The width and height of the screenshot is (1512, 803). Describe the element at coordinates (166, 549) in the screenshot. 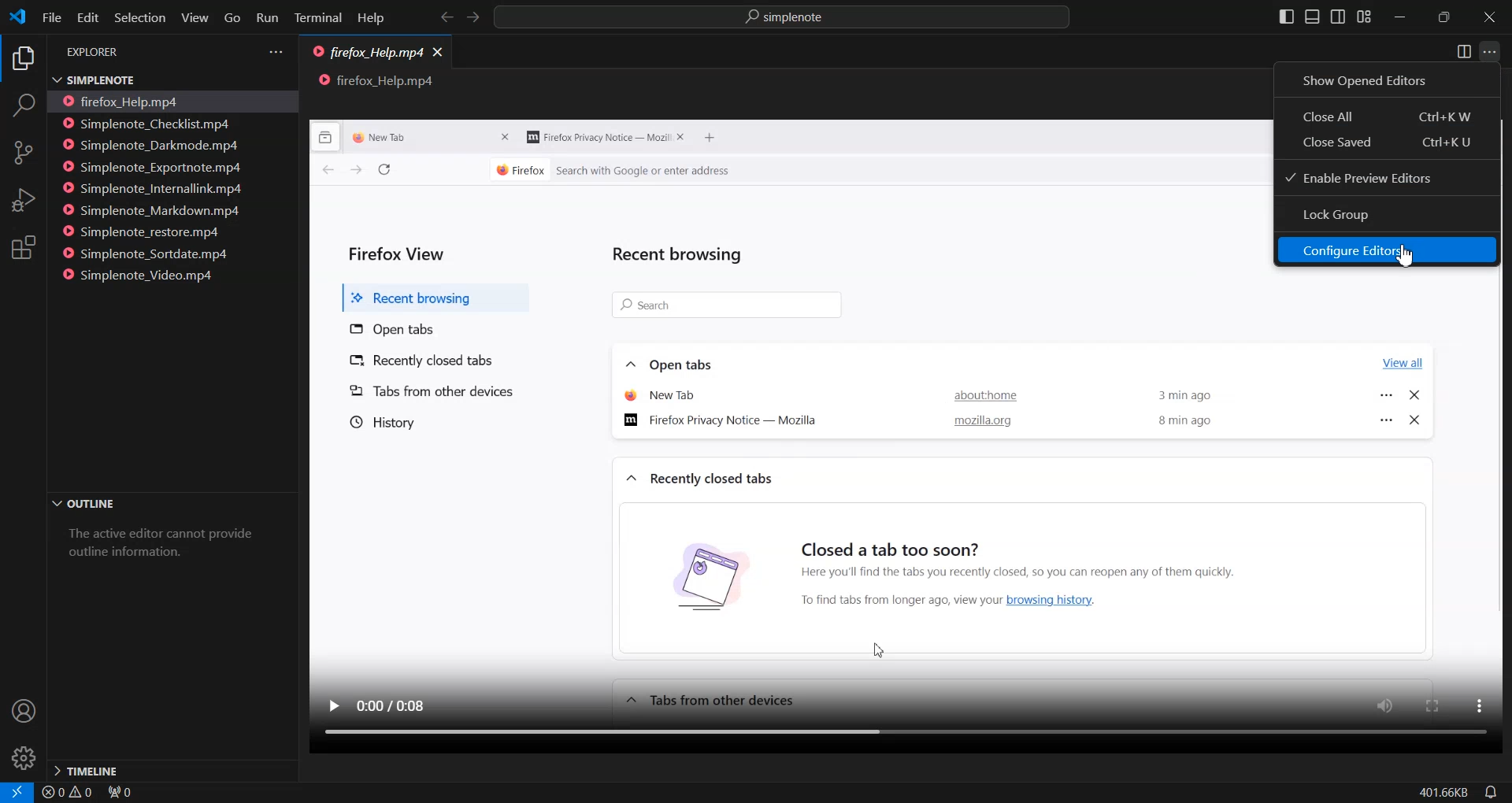

I see `The active editor cannot provide
outline information.` at that location.